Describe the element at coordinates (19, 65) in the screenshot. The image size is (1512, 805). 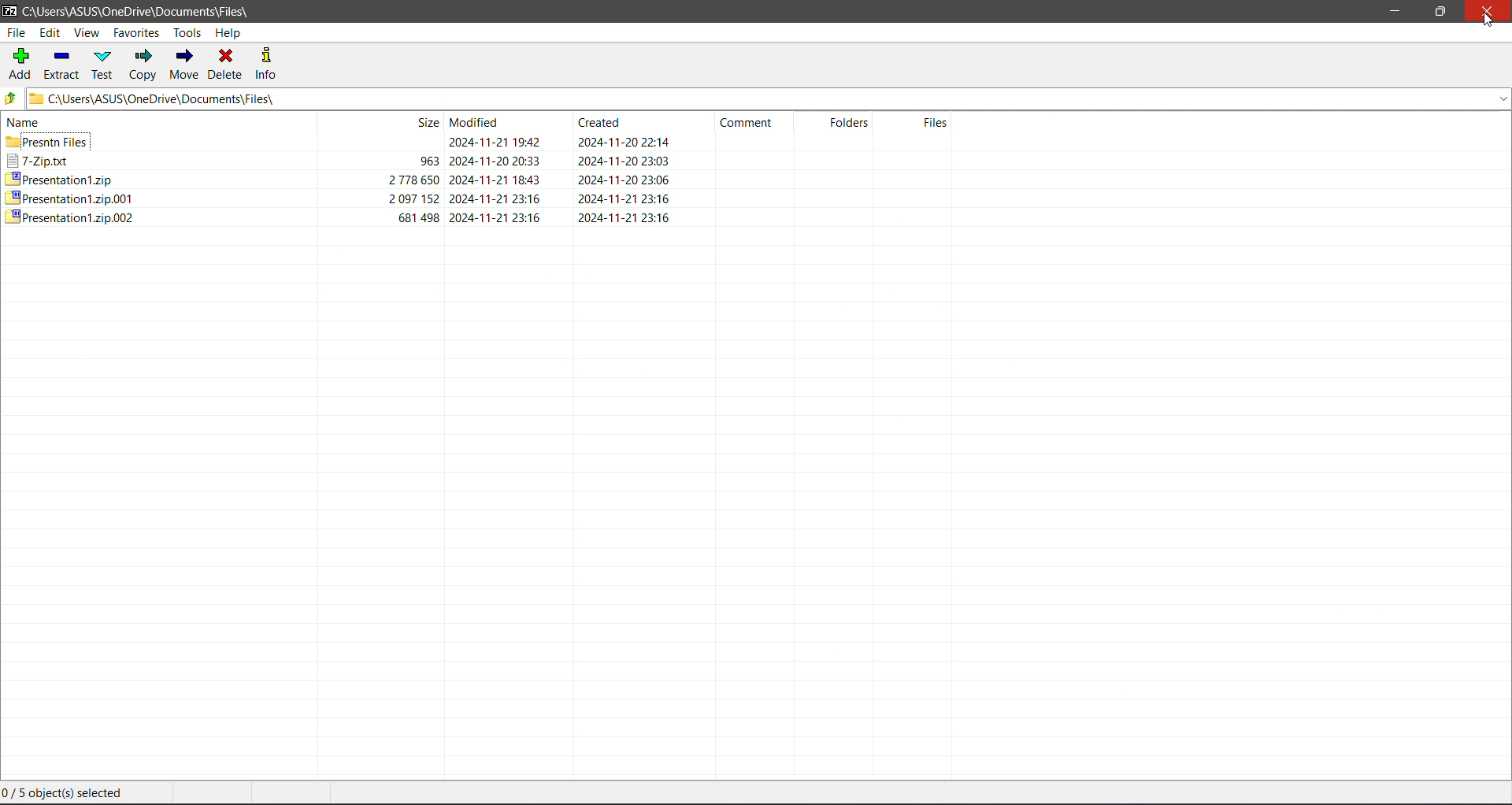
I see `Add` at that location.